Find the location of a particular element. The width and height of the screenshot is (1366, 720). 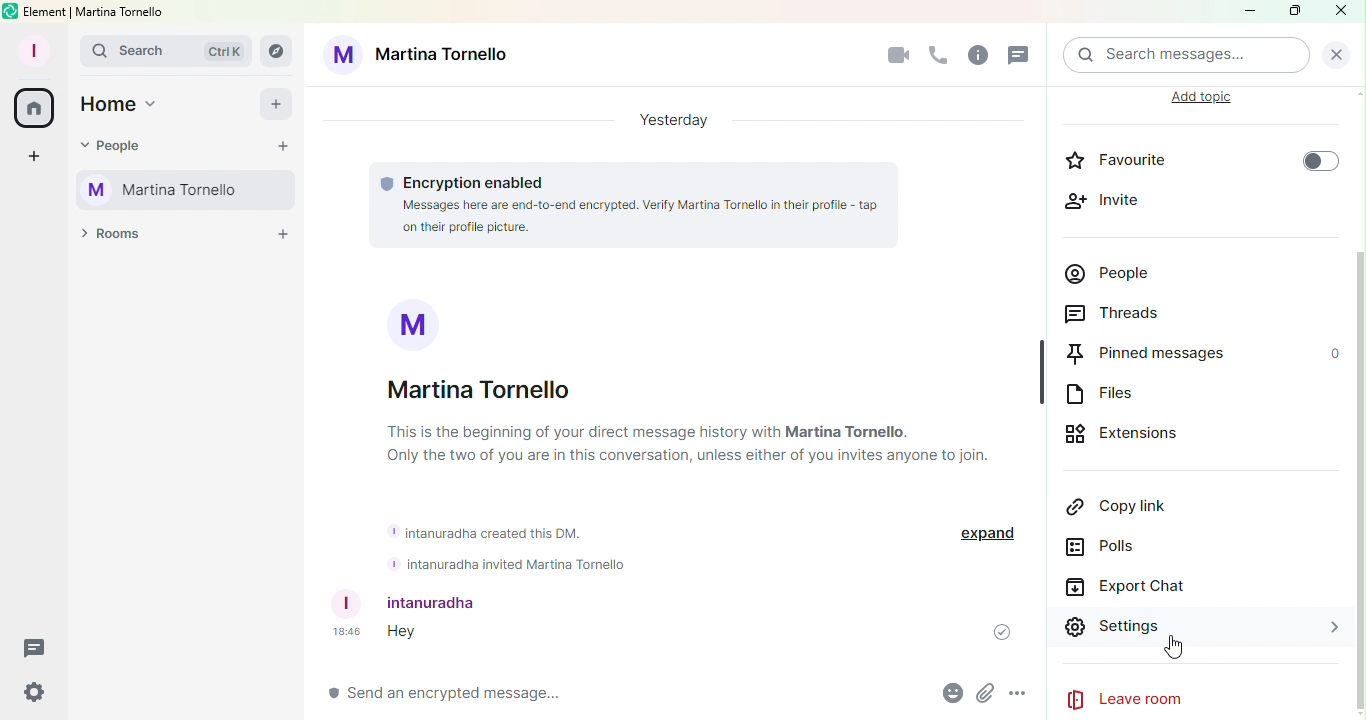

Leave Room is located at coordinates (1174, 697).